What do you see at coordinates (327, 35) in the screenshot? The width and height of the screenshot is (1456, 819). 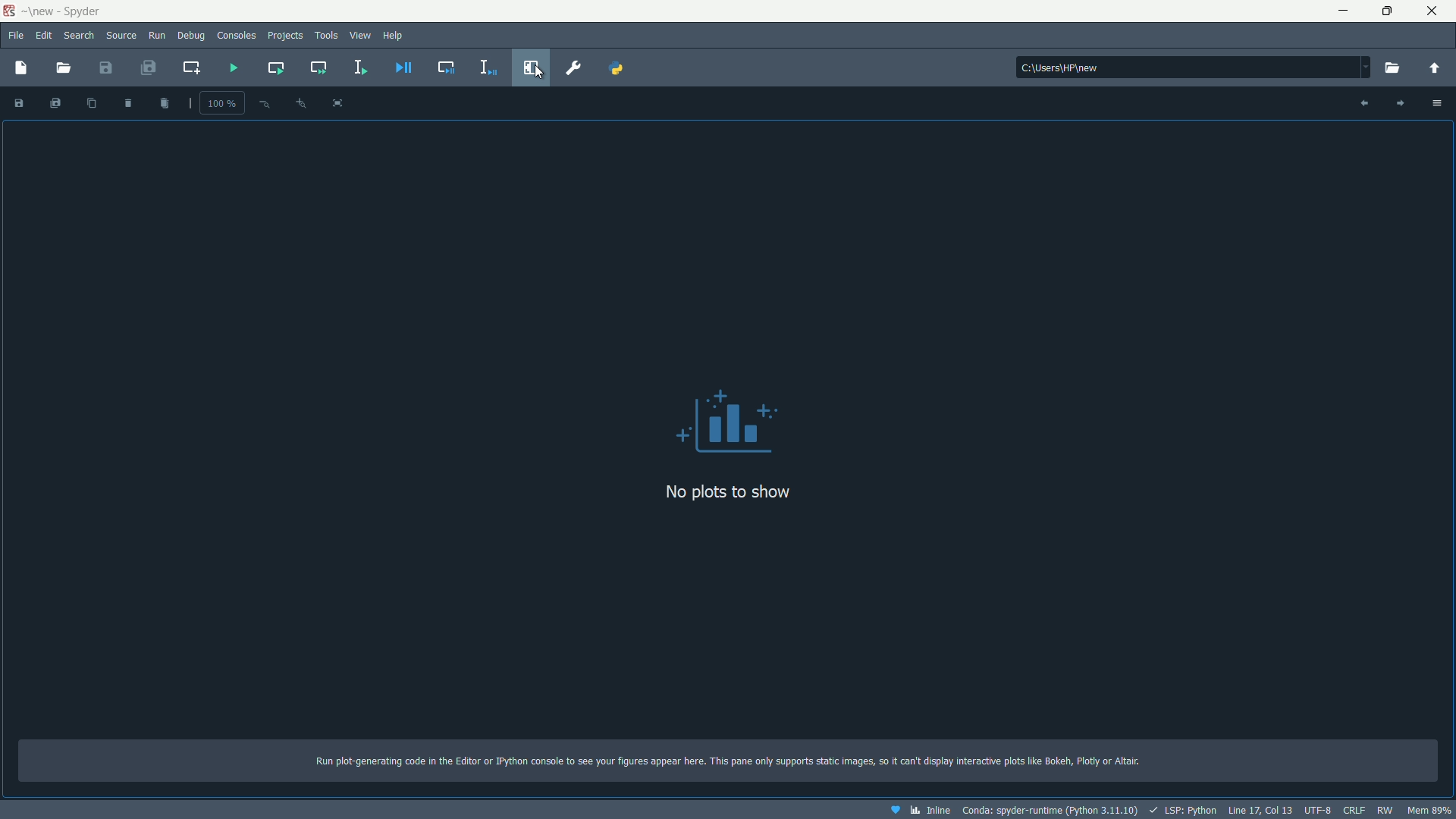 I see `tools` at bounding box center [327, 35].